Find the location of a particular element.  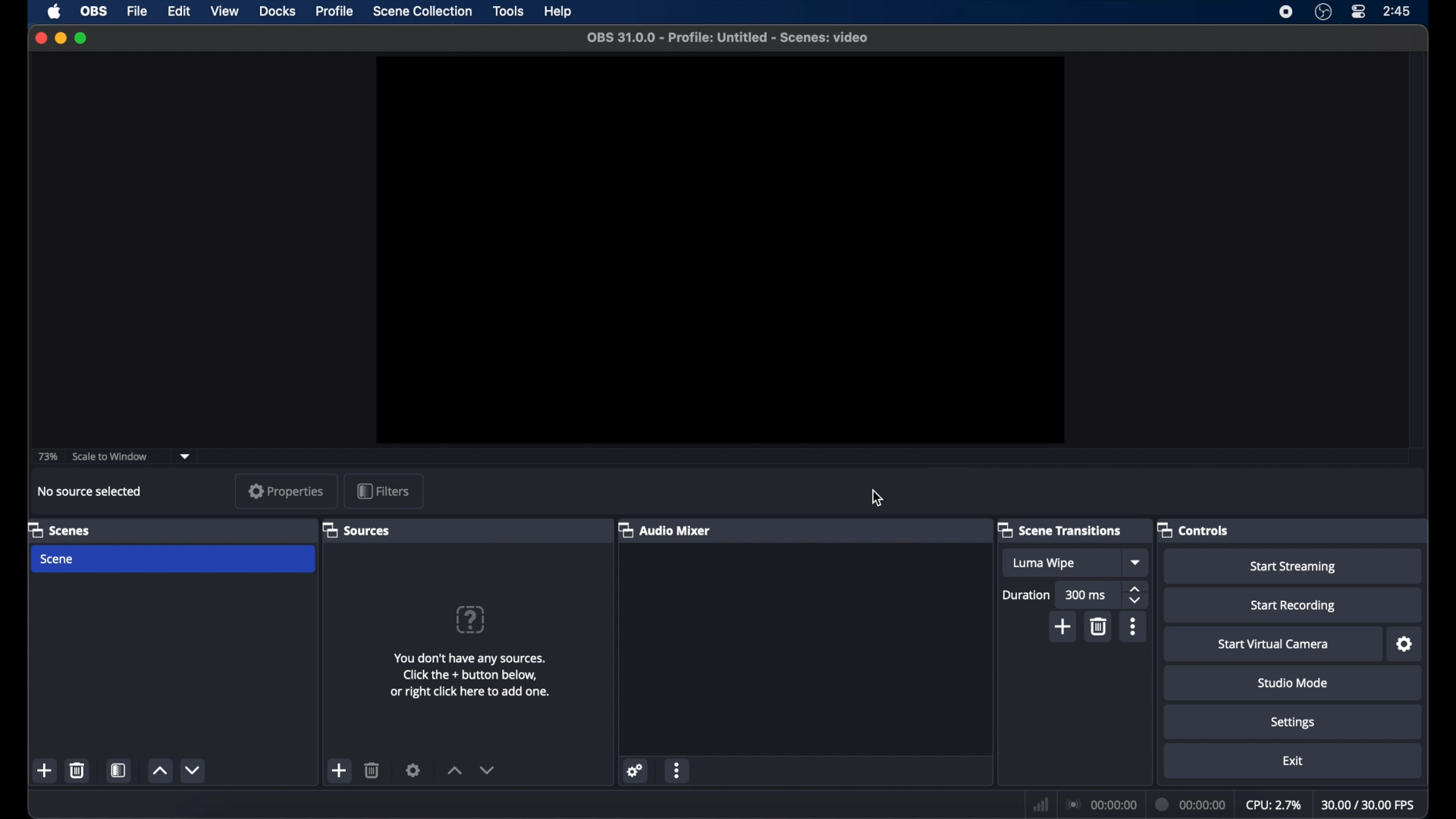

control center is located at coordinates (1360, 12).